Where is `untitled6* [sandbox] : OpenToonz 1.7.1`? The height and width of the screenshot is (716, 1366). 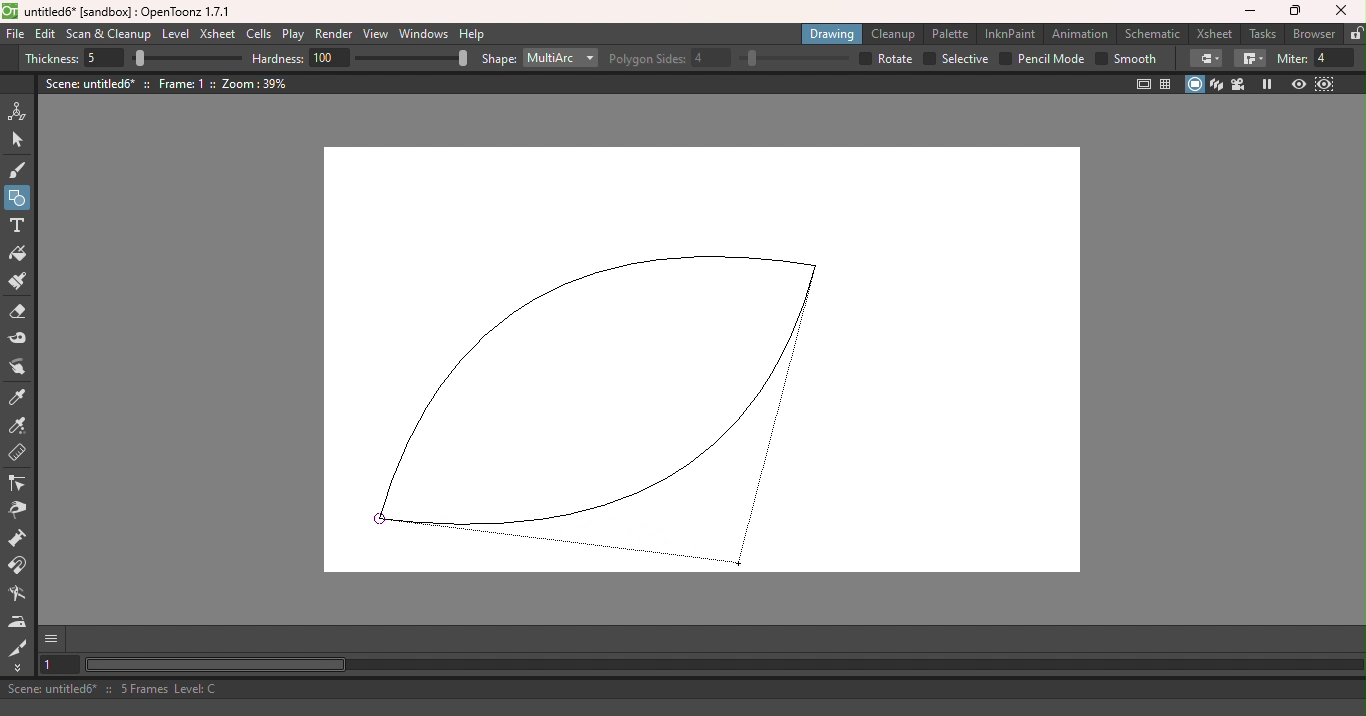
untitled6* [sandbox] : OpenToonz 1.7.1 is located at coordinates (119, 12).